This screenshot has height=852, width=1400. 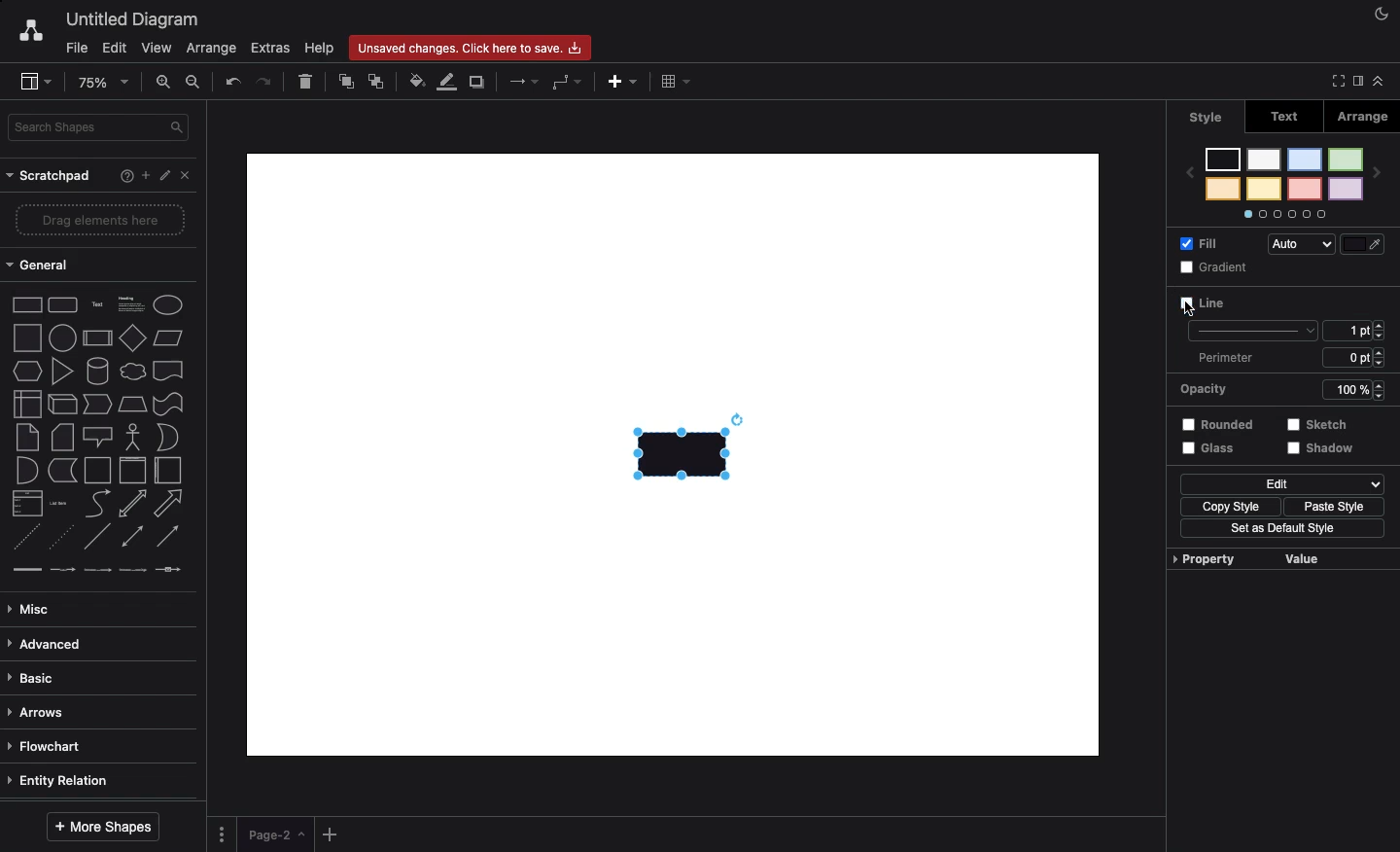 I want to click on View, so click(x=158, y=48).